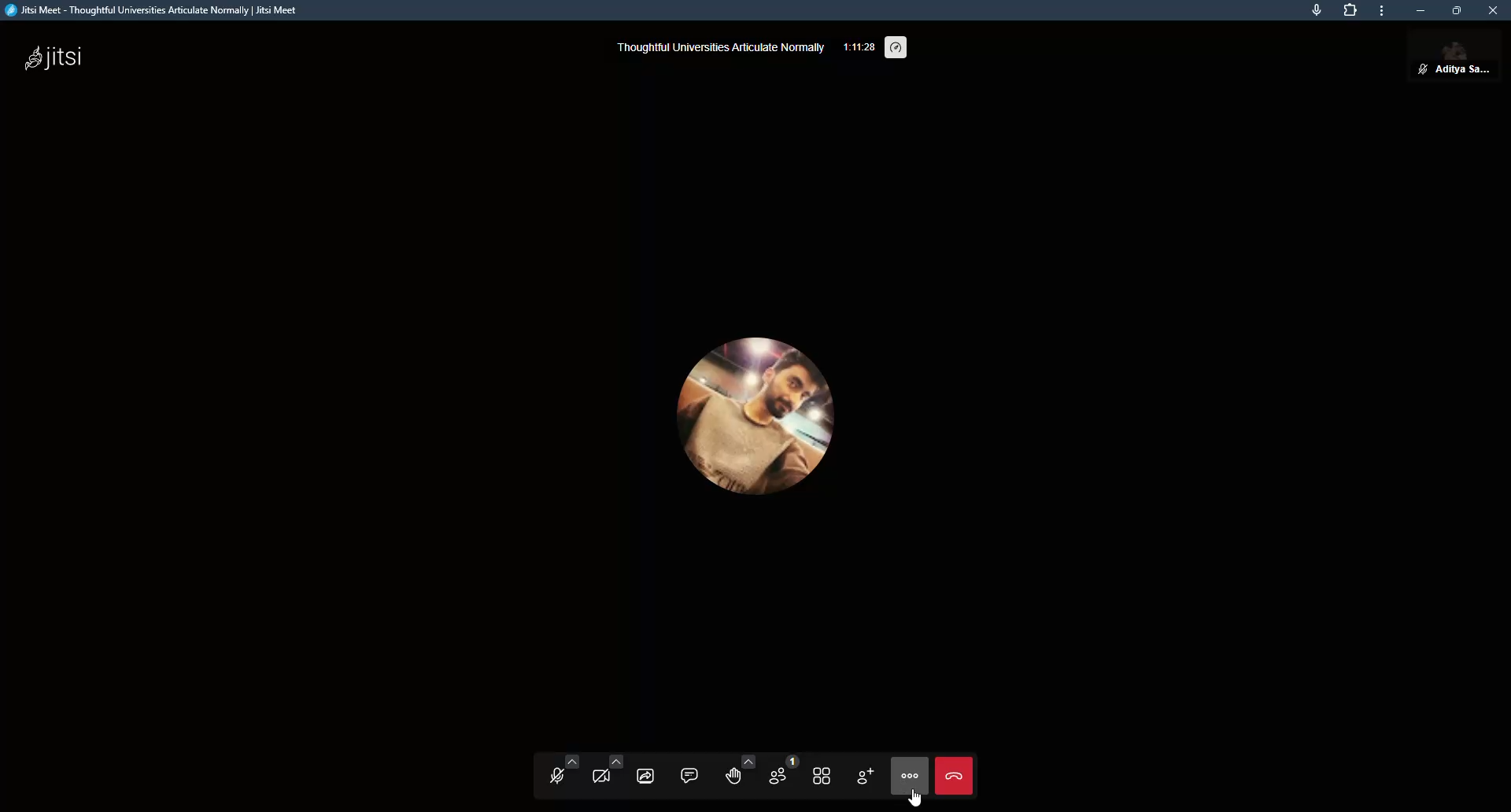  What do you see at coordinates (1456, 55) in the screenshot?
I see `aditya sarkar` at bounding box center [1456, 55].